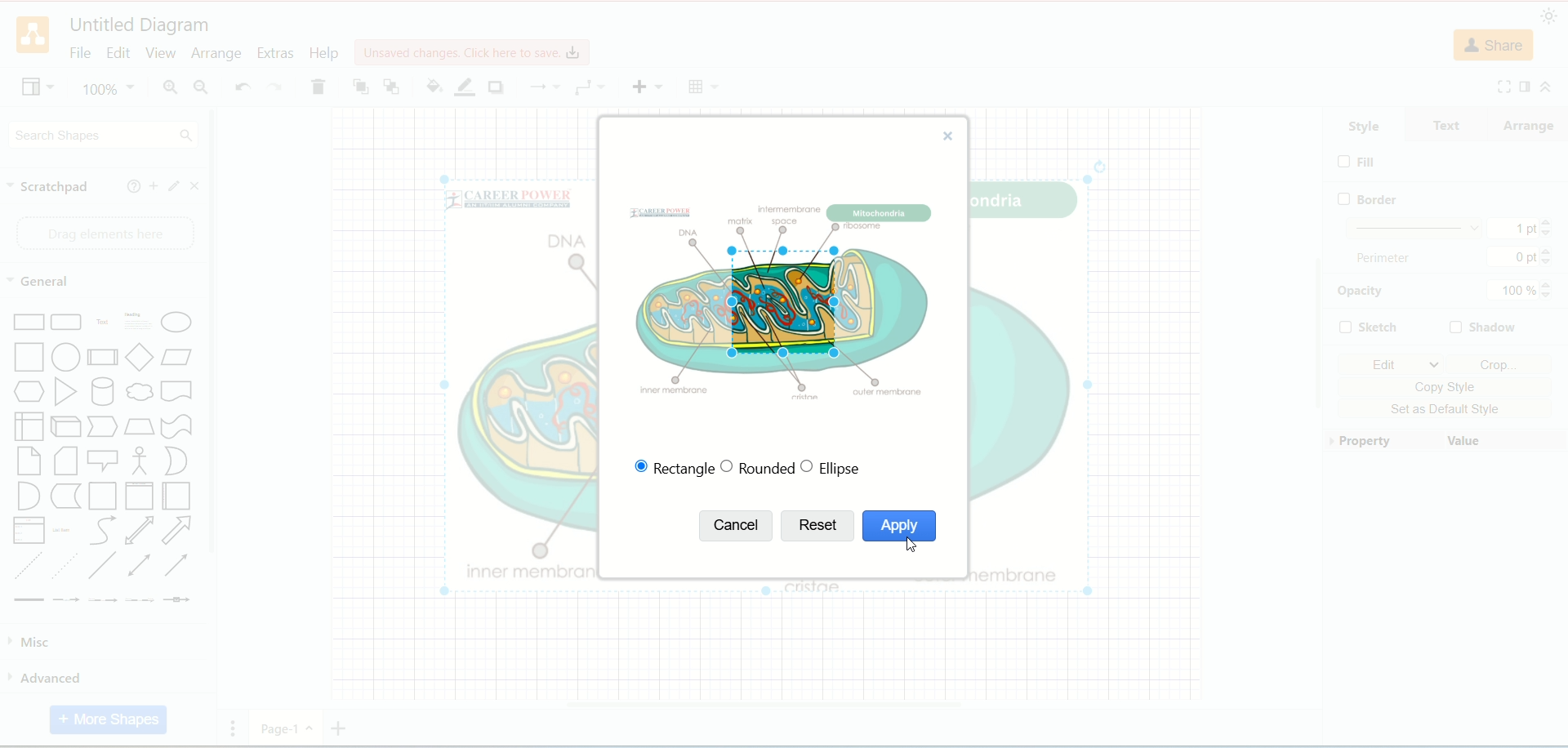 The width and height of the screenshot is (1568, 748). I want to click on sketch, so click(1368, 325).